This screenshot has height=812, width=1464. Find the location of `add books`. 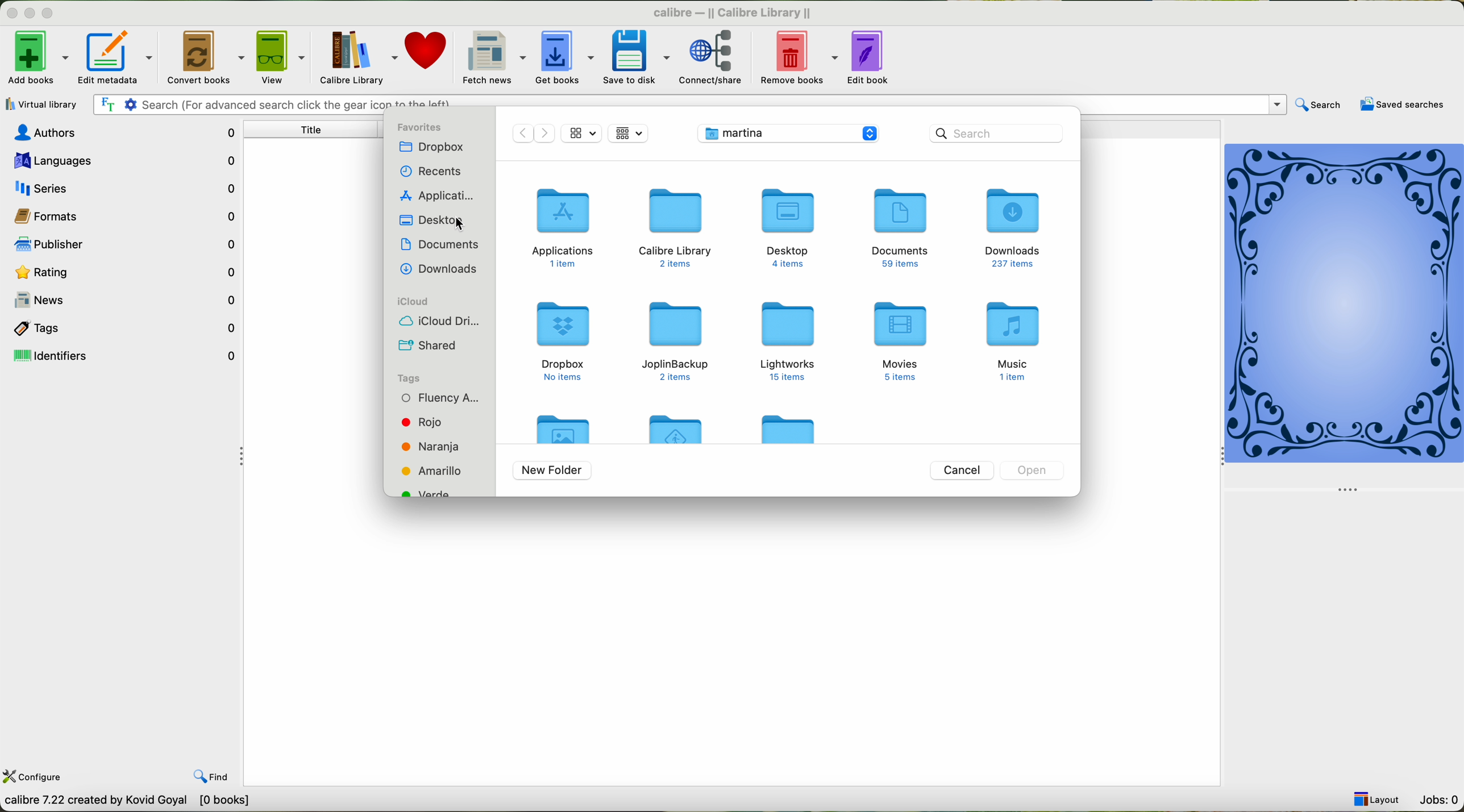

add books is located at coordinates (36, 56).